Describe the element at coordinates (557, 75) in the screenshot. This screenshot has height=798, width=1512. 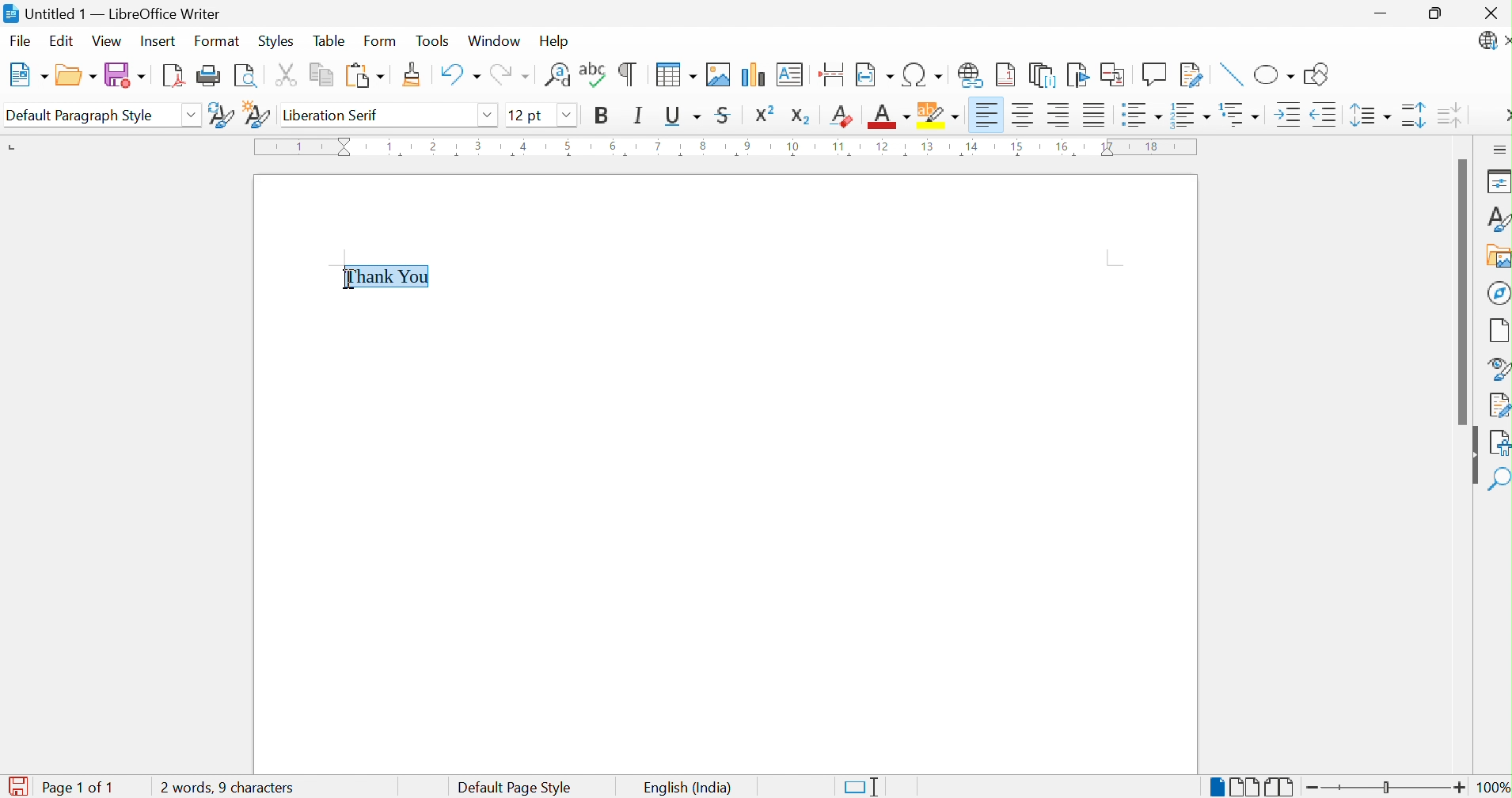
I see `Find and Replace` at that location.